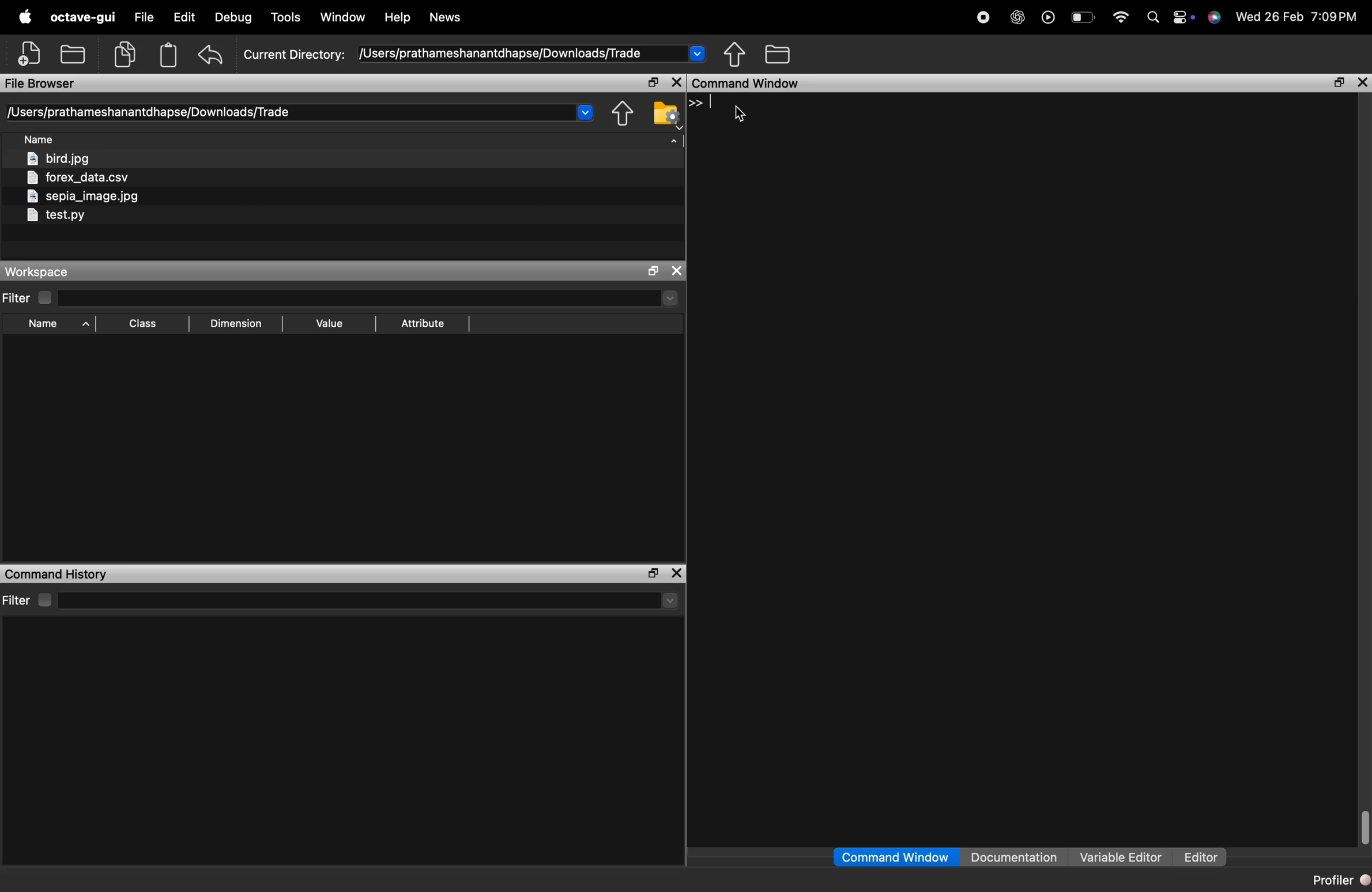  I want to click on filter, so click(31, 599).